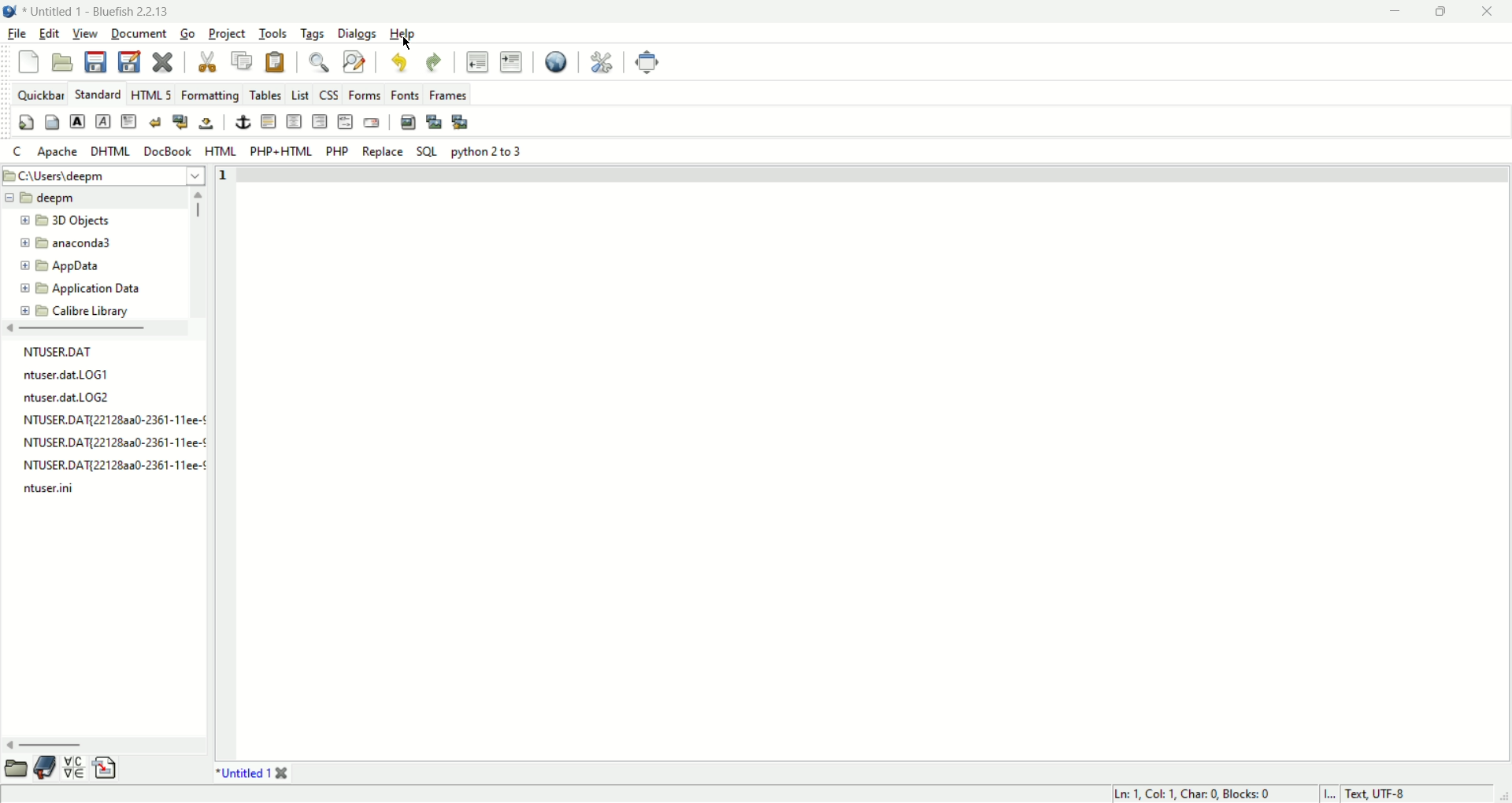  What do you see at coordinates (220, 151) in the screenshot?
I see `HTML` at bounding box center [220, 151].